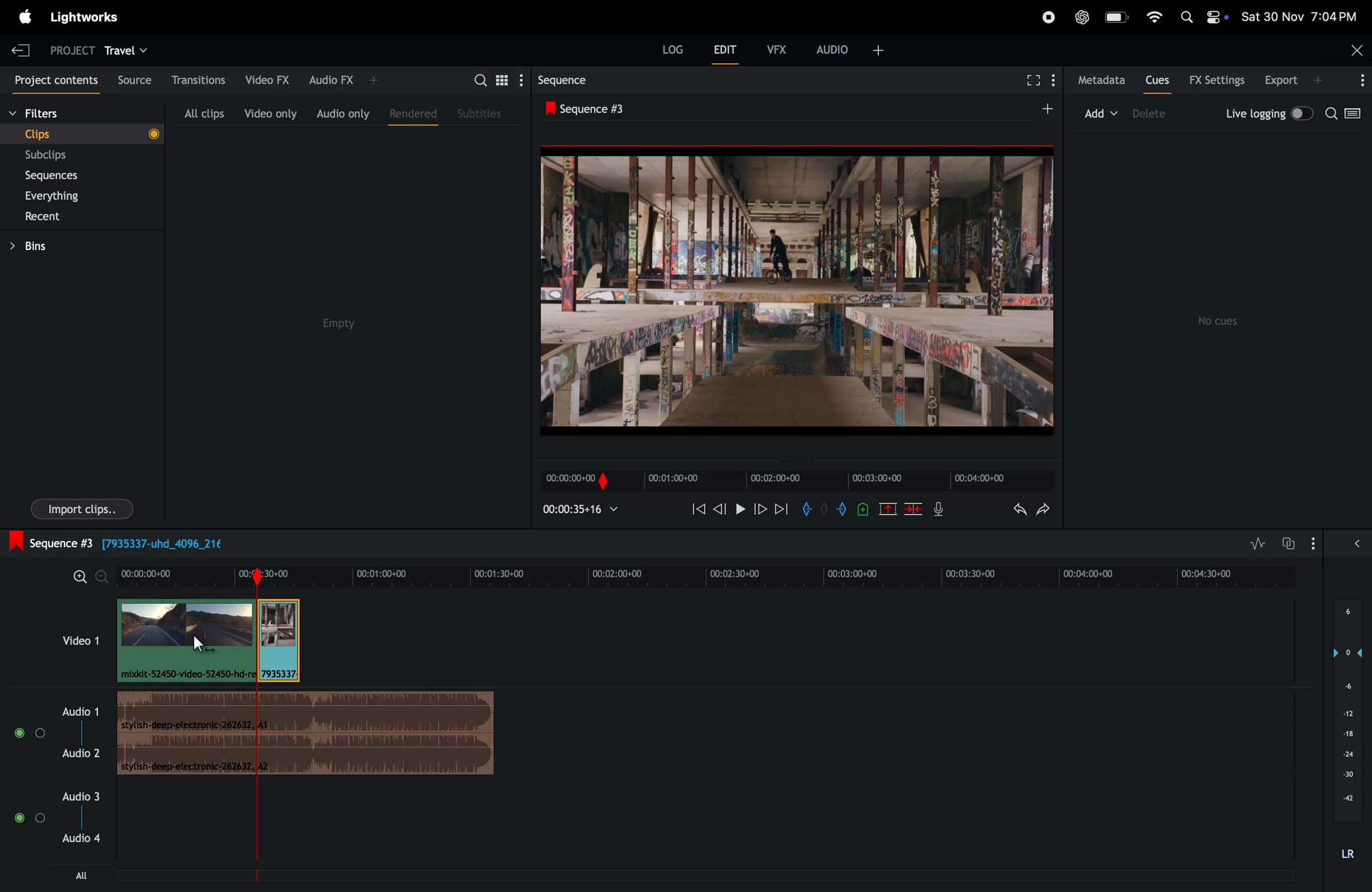 The height and width of the screenshot is (892, 1372). What do you see at coordinates (1097, 81) in the screenshot?
I see `metadata` at bounding box center [1097, 81].